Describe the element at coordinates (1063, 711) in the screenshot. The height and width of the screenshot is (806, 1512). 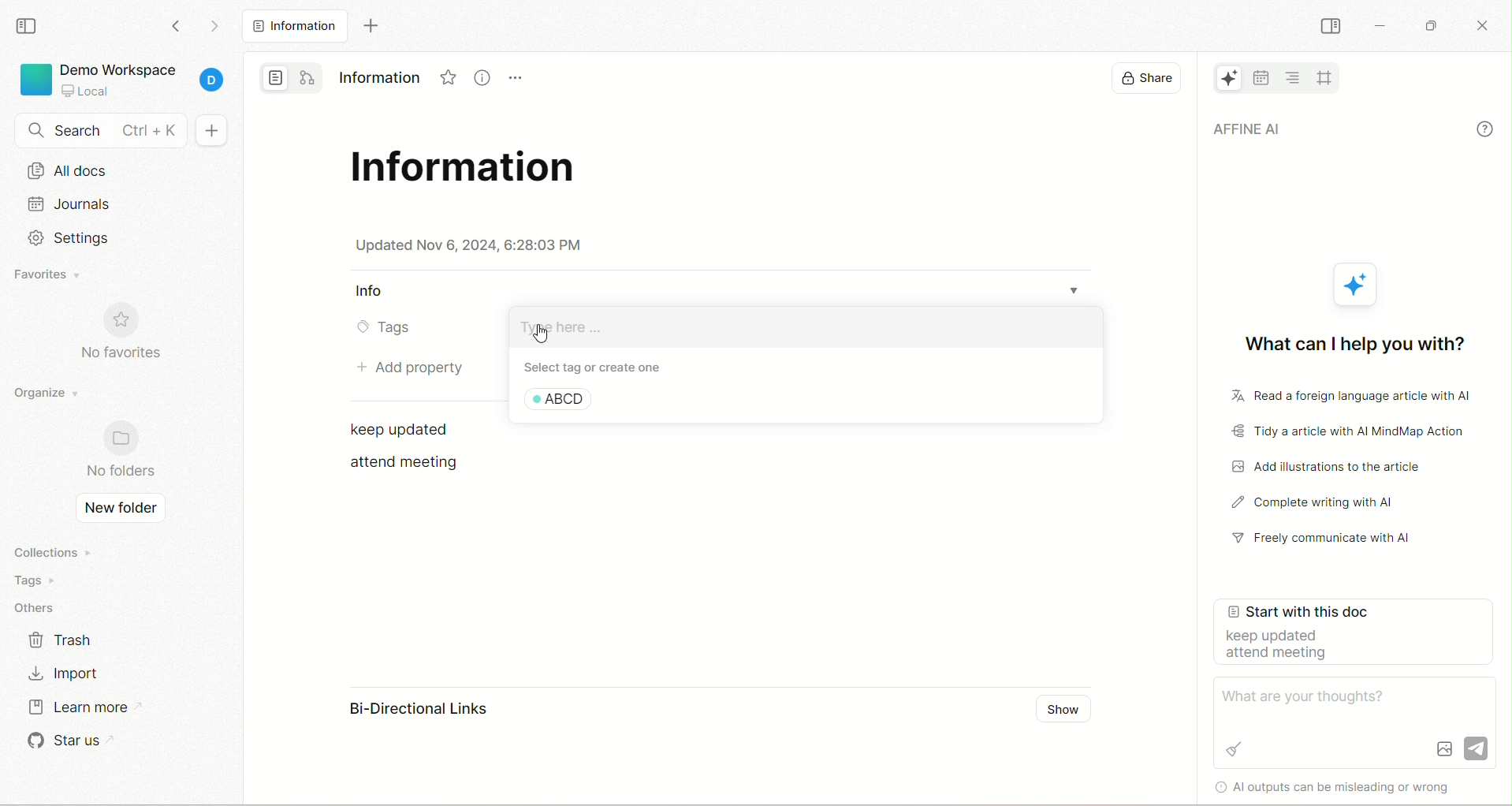
I see `show` at that location.